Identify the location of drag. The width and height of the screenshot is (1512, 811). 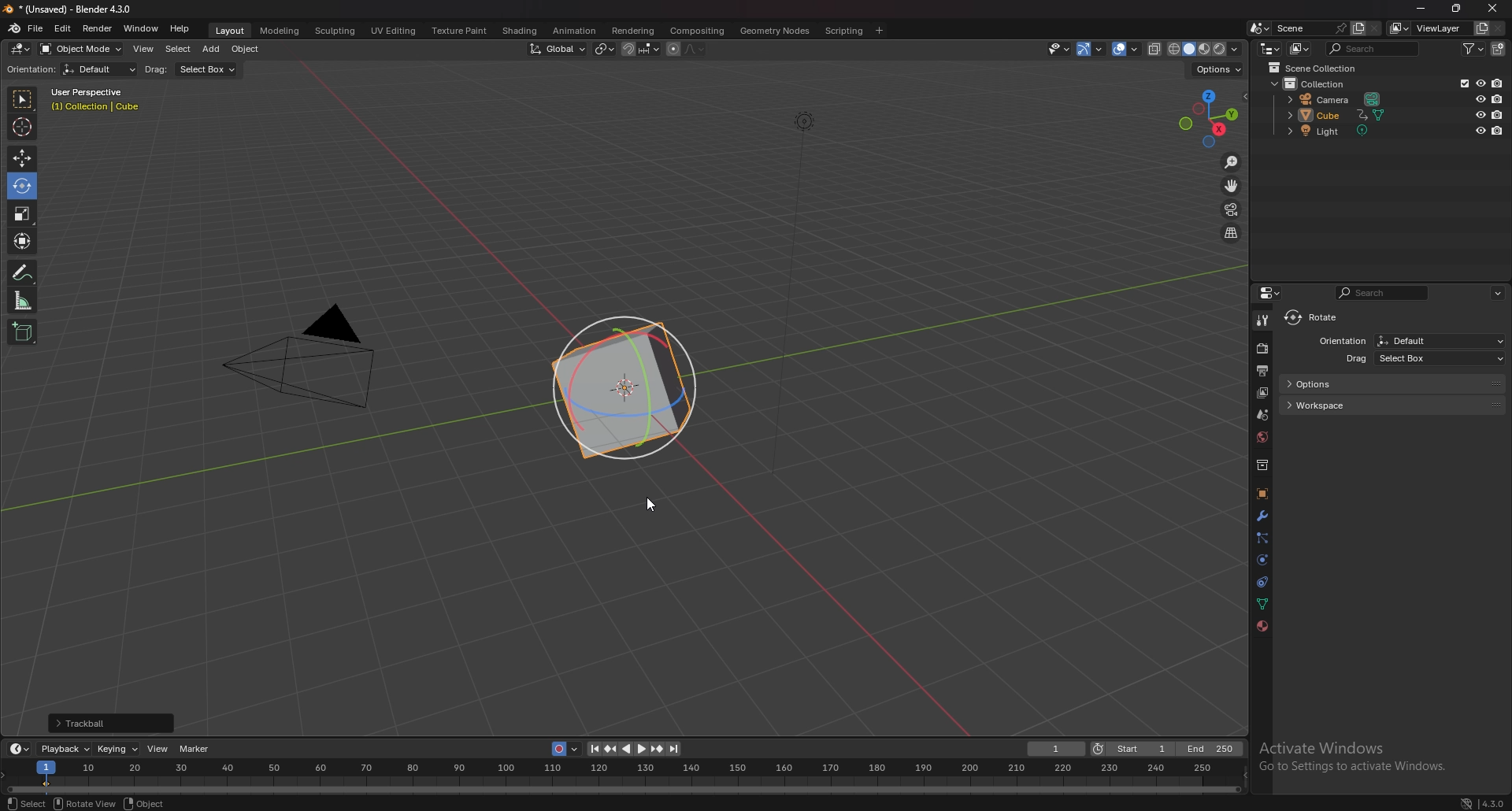
(159, 71).